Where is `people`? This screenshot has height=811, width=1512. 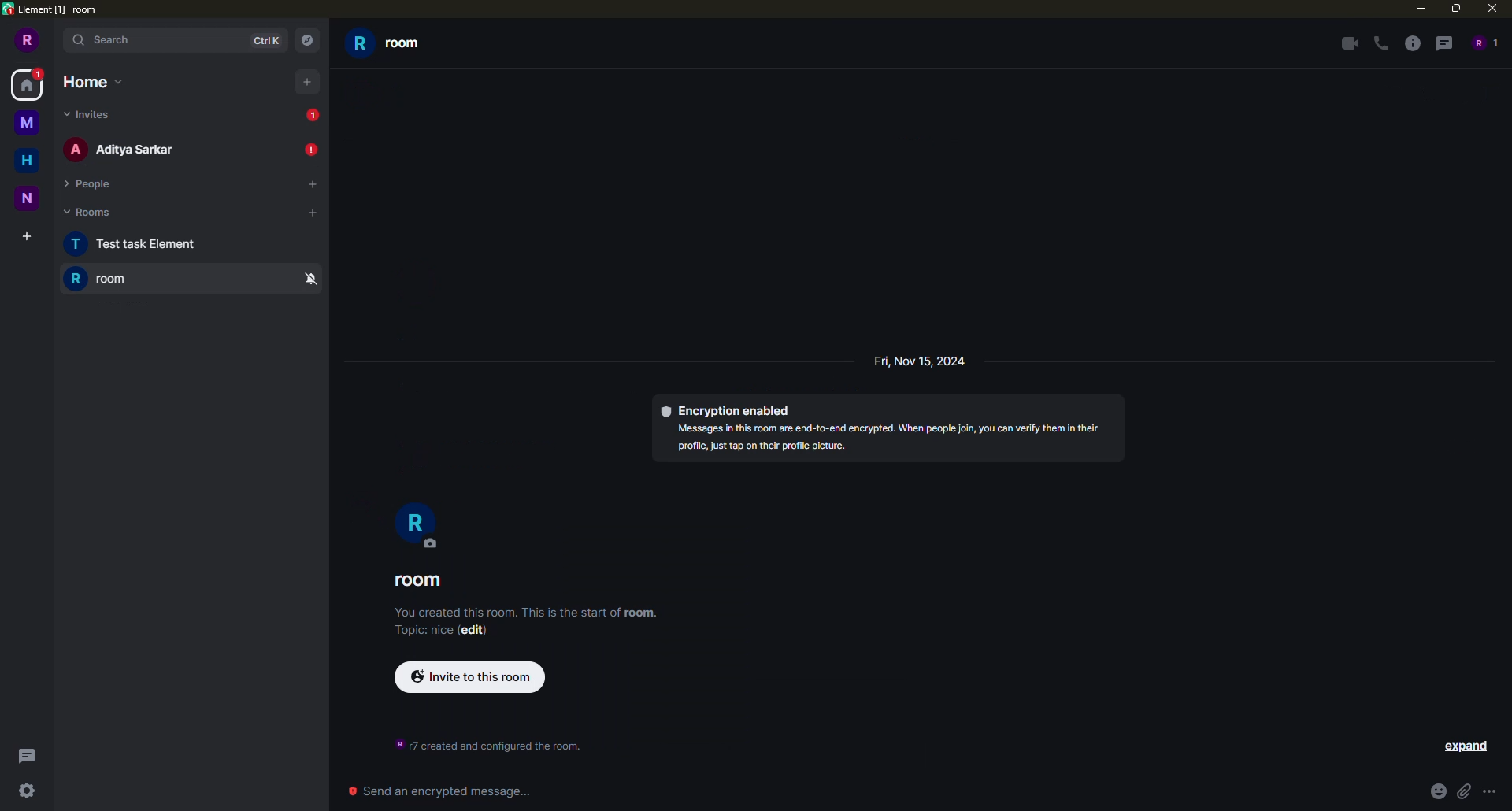 people is located at coordinates (91, 183).